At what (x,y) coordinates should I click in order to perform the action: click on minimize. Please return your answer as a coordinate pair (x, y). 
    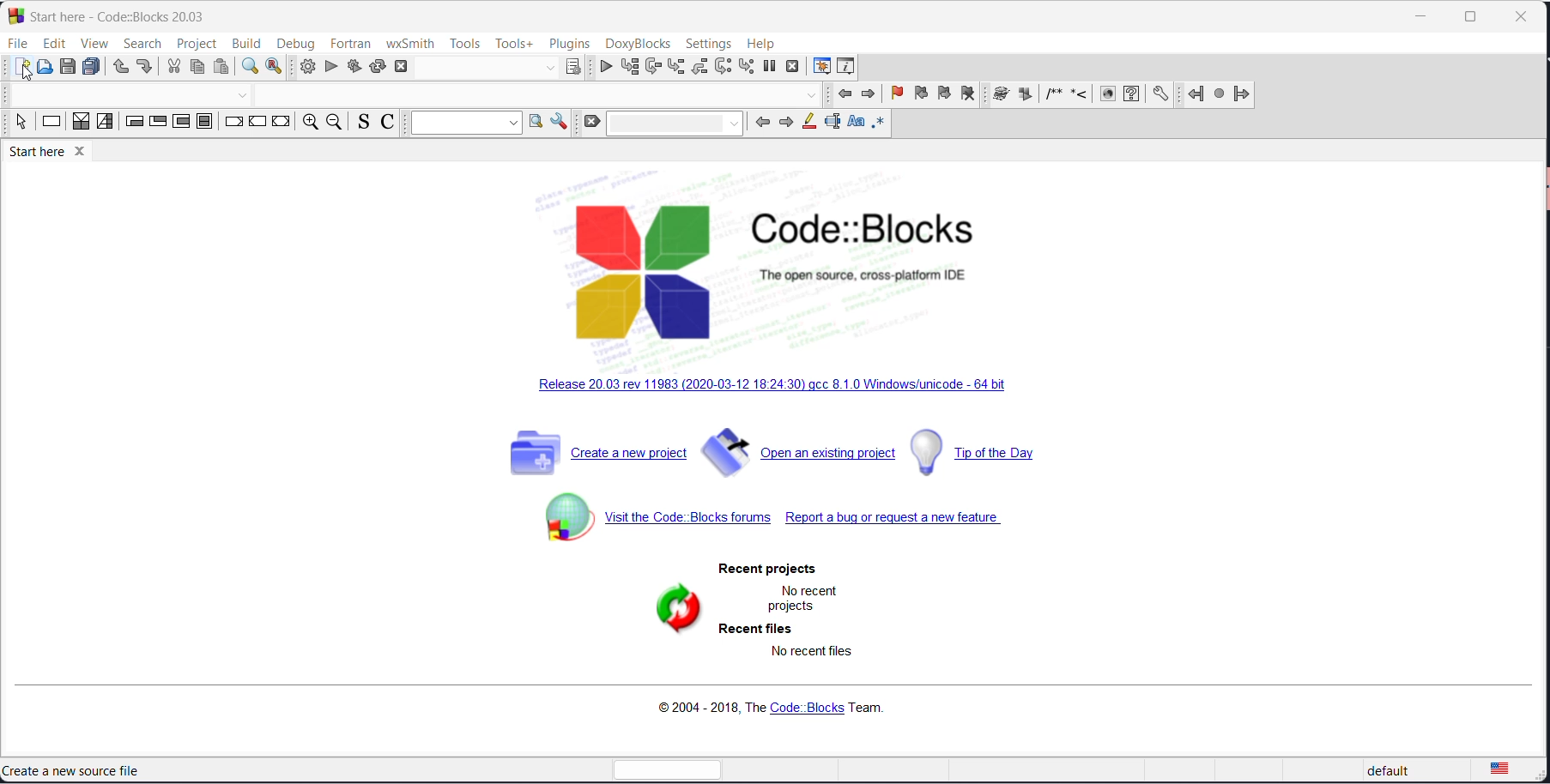
    Looking at the image, I should click on (1423, 19).